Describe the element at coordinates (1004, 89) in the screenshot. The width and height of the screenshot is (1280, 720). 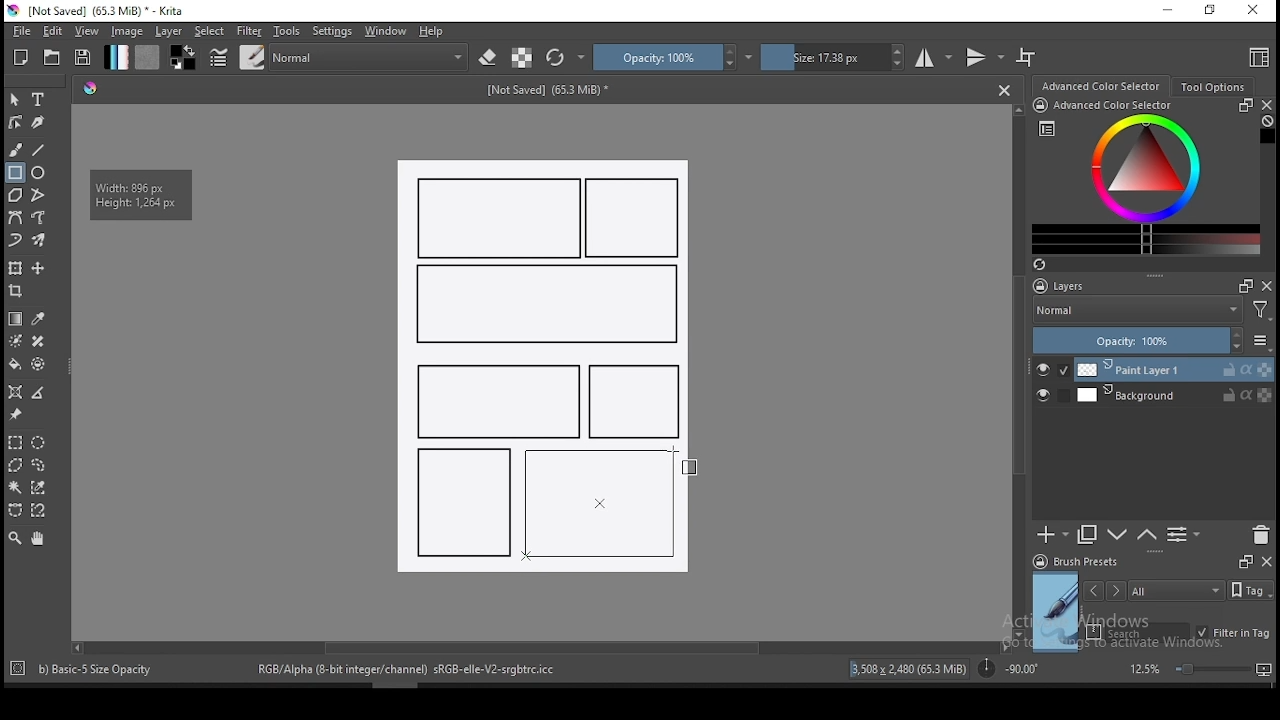
I see `Close` at that location.